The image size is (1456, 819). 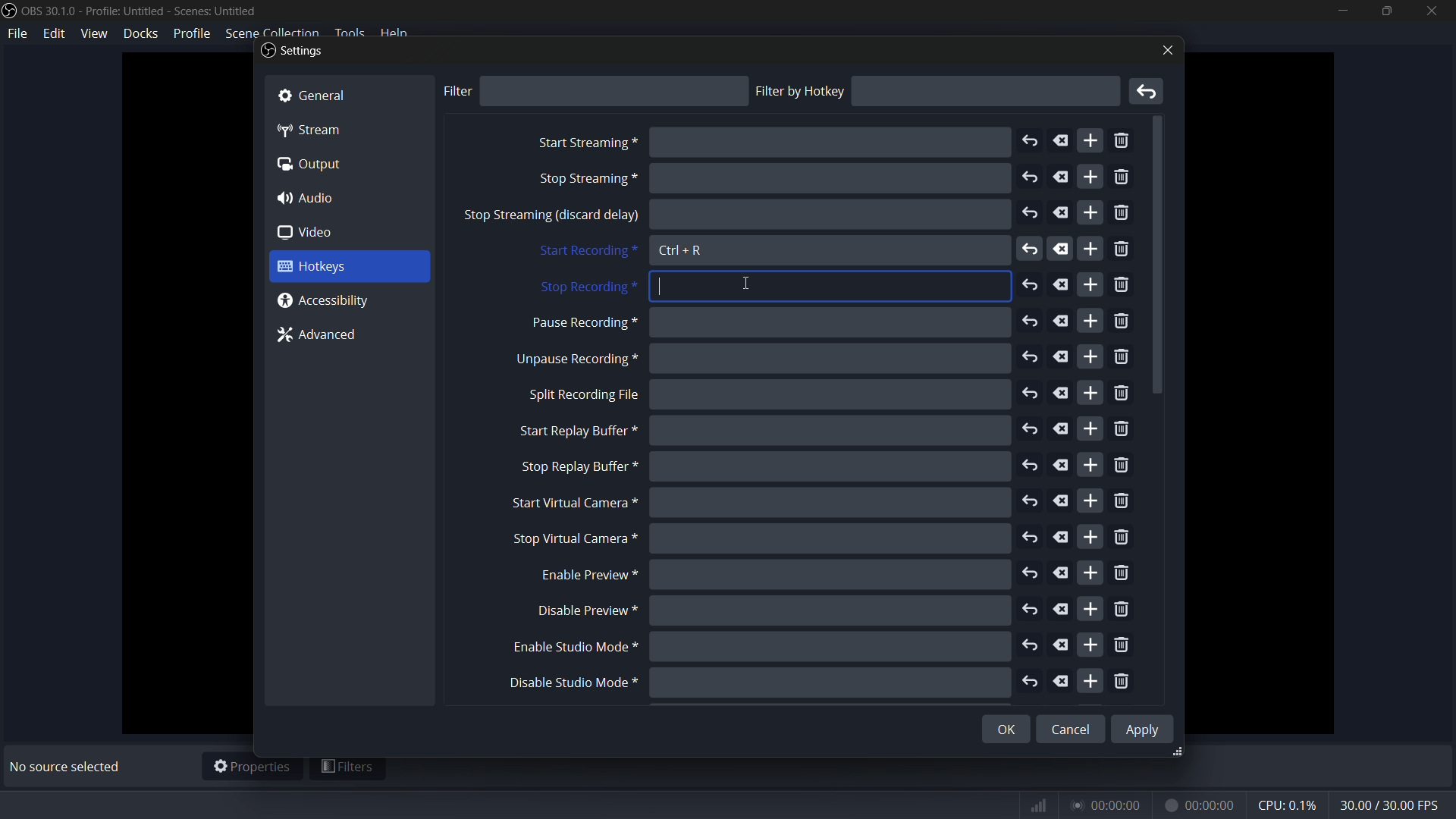 What do you see at coordinates (1030, 214) in the screenshot?
I see `undo` at bounding box center [1030, 214].